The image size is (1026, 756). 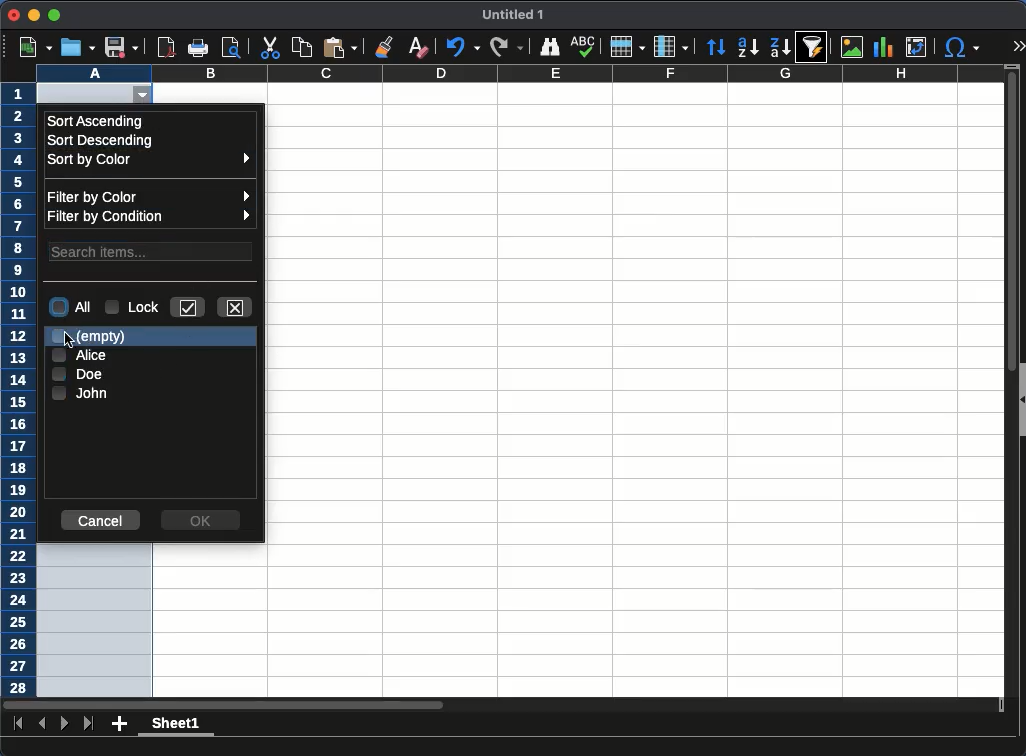 I want to click on column, so click(x=671, y=45).